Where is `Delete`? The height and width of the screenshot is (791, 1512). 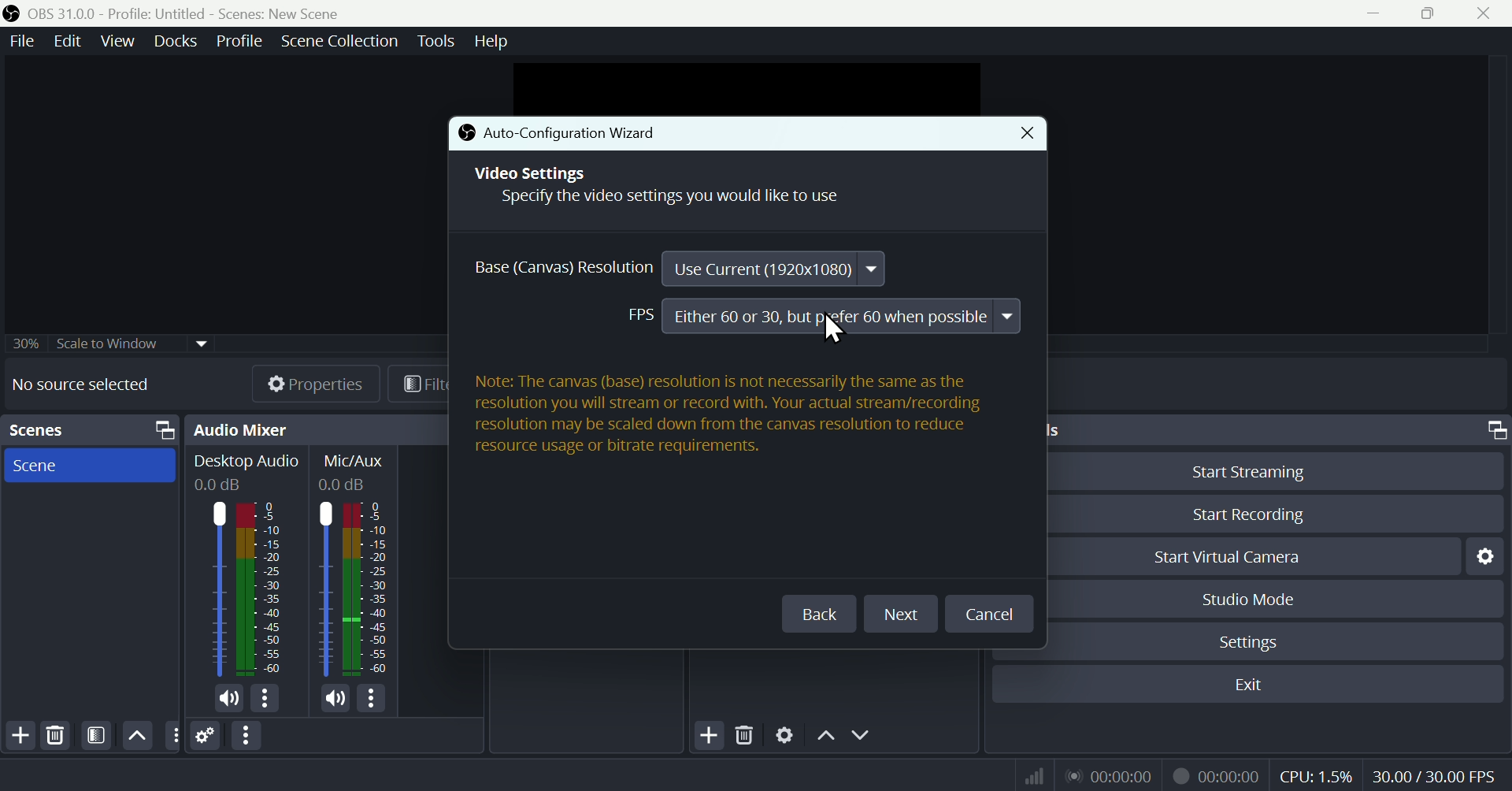 Delete is located at coordinates (745, 732).